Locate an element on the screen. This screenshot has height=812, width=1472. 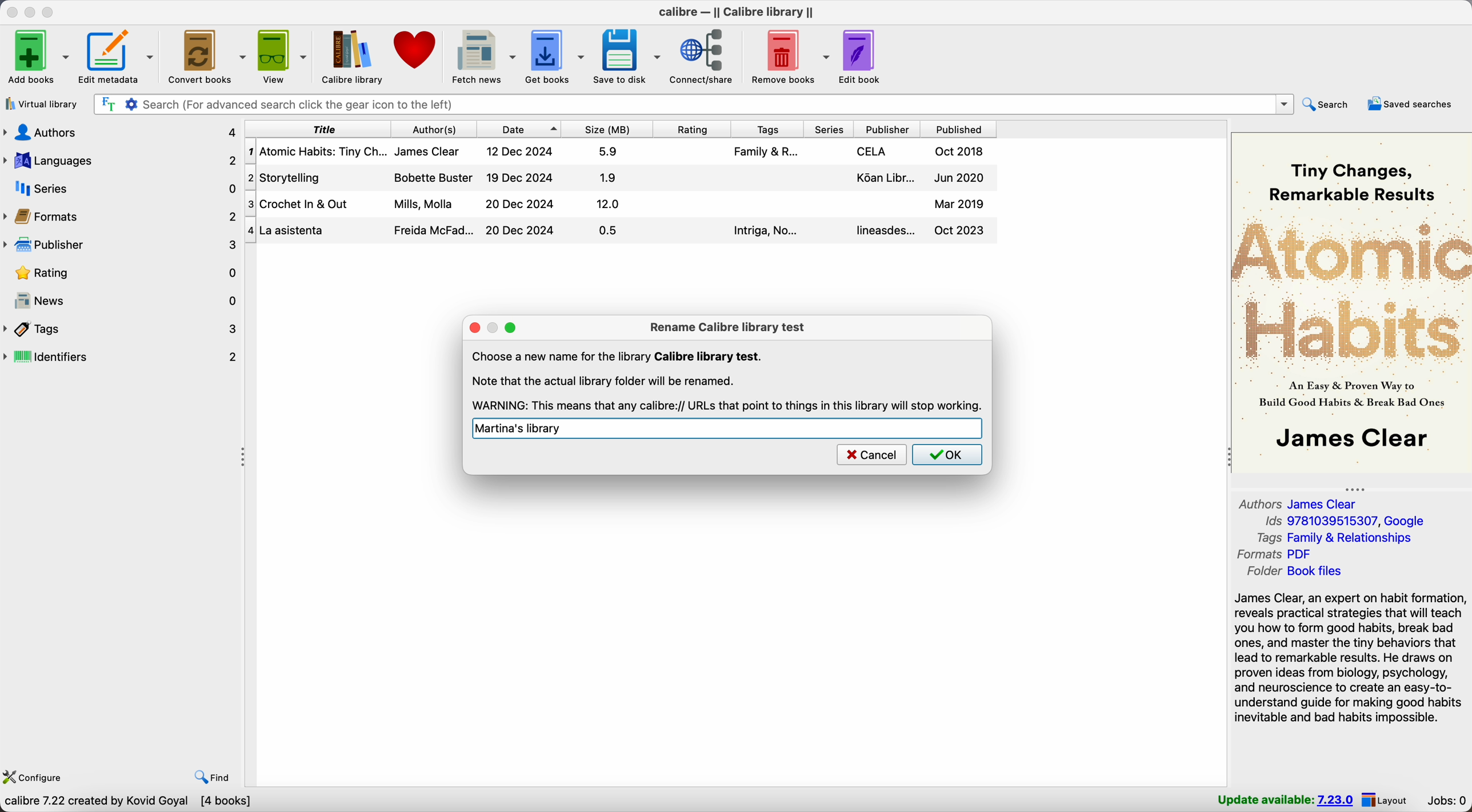
disable minimize popup is located at coordinates (495, 327).